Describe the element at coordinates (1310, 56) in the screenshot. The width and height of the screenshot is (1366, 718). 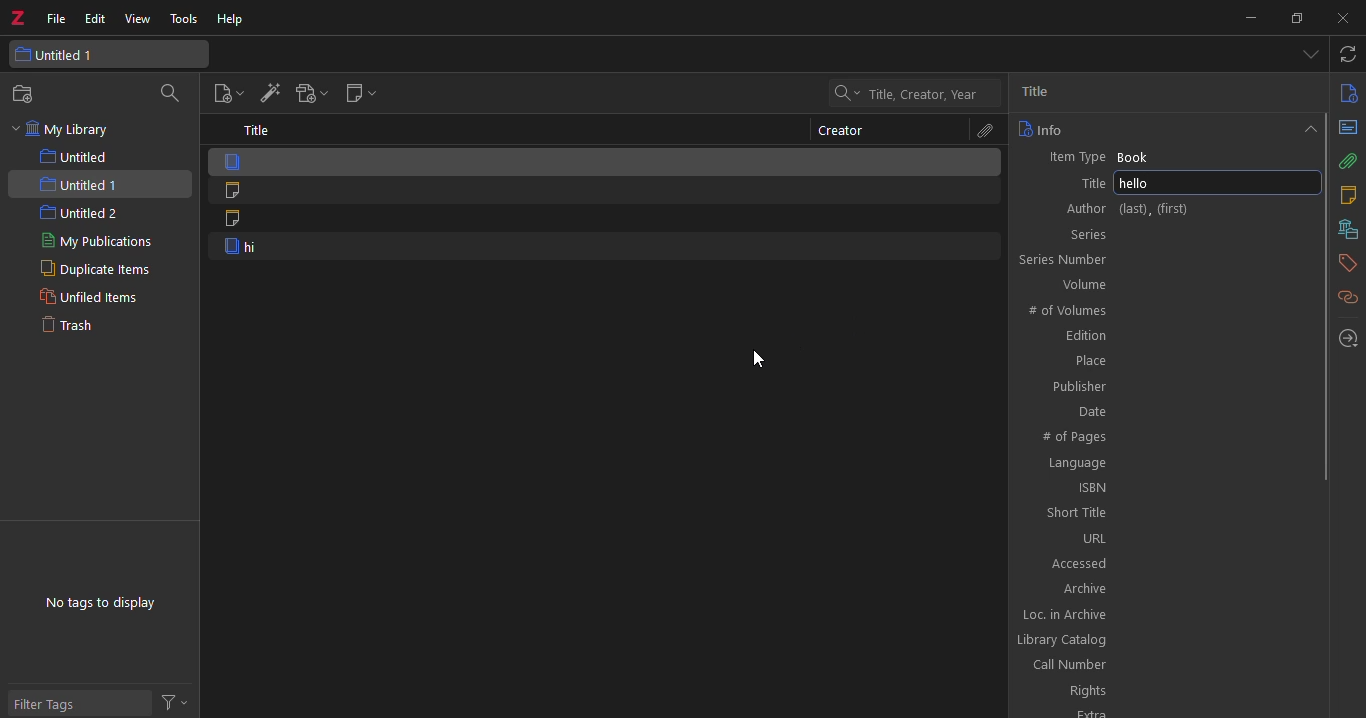
I see `list all tabs` at that location.